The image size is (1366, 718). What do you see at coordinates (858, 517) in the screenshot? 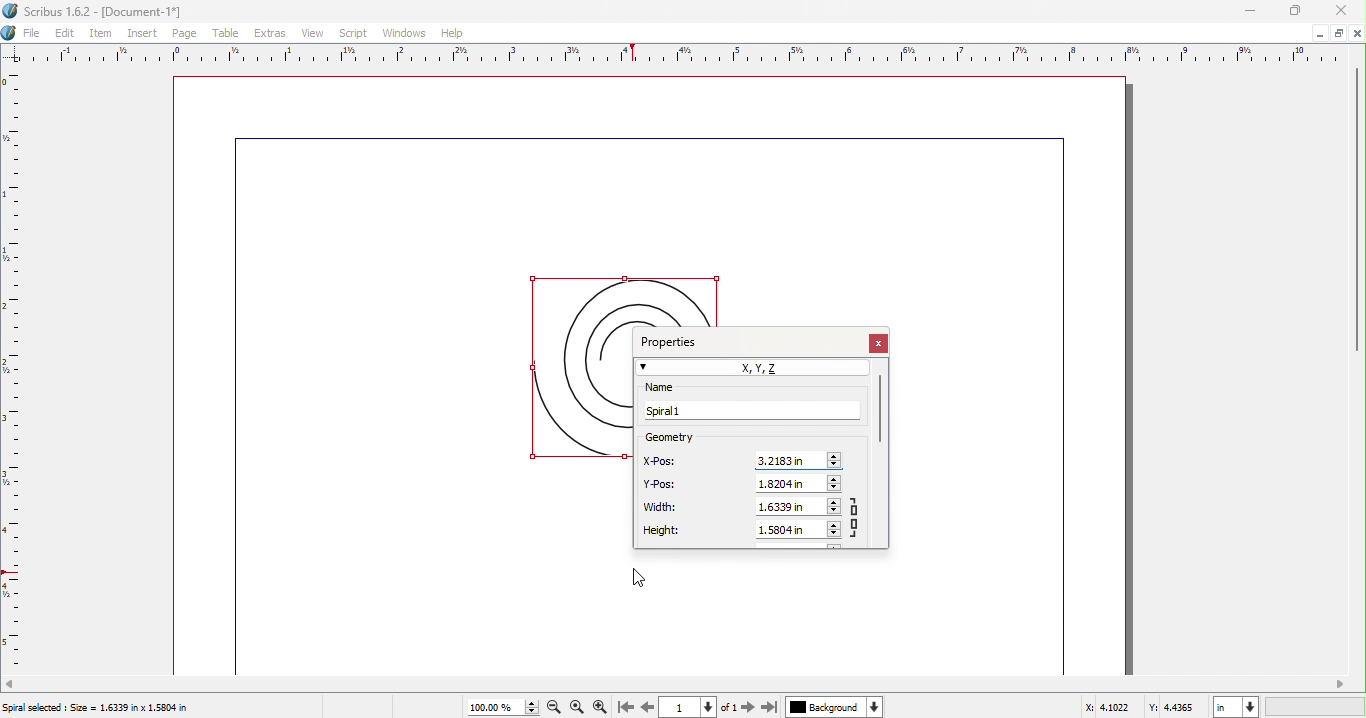
I see `Keep the aspect ratio` at bounding box center [858, 517].